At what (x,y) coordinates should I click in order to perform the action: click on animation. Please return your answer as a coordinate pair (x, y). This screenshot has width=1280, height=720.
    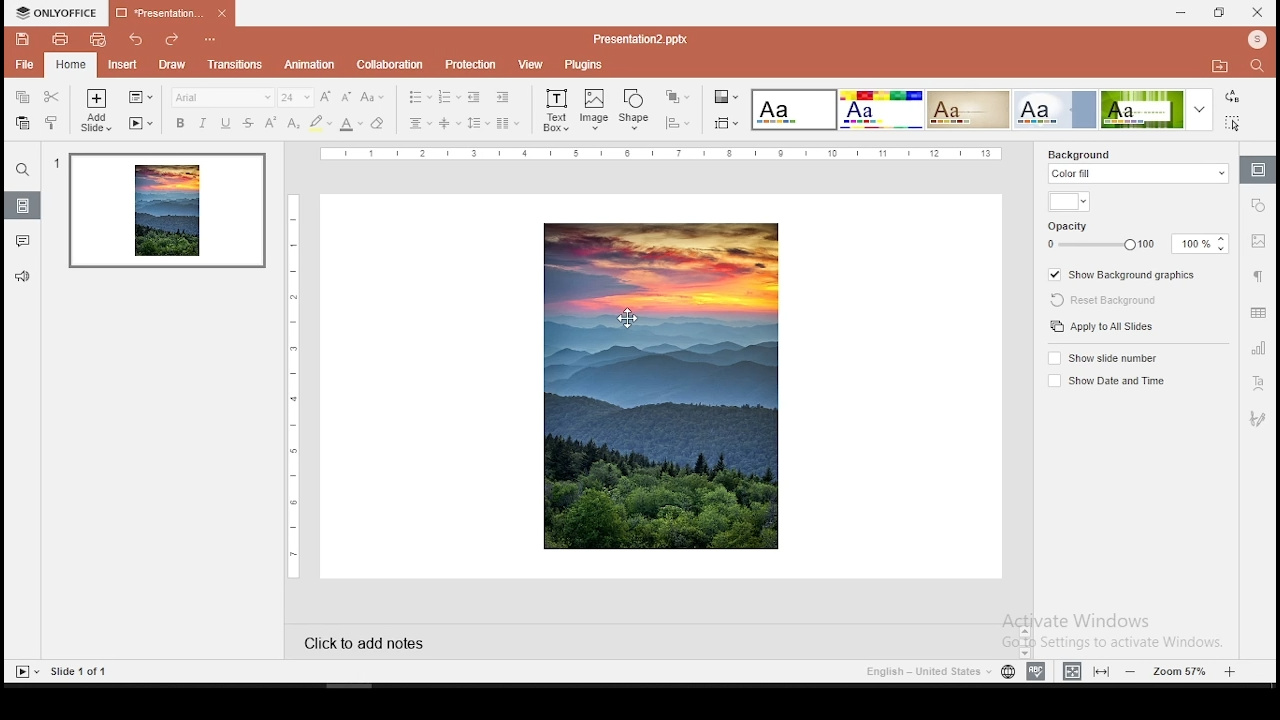
    Looking at the image, I should click on (309, 65).